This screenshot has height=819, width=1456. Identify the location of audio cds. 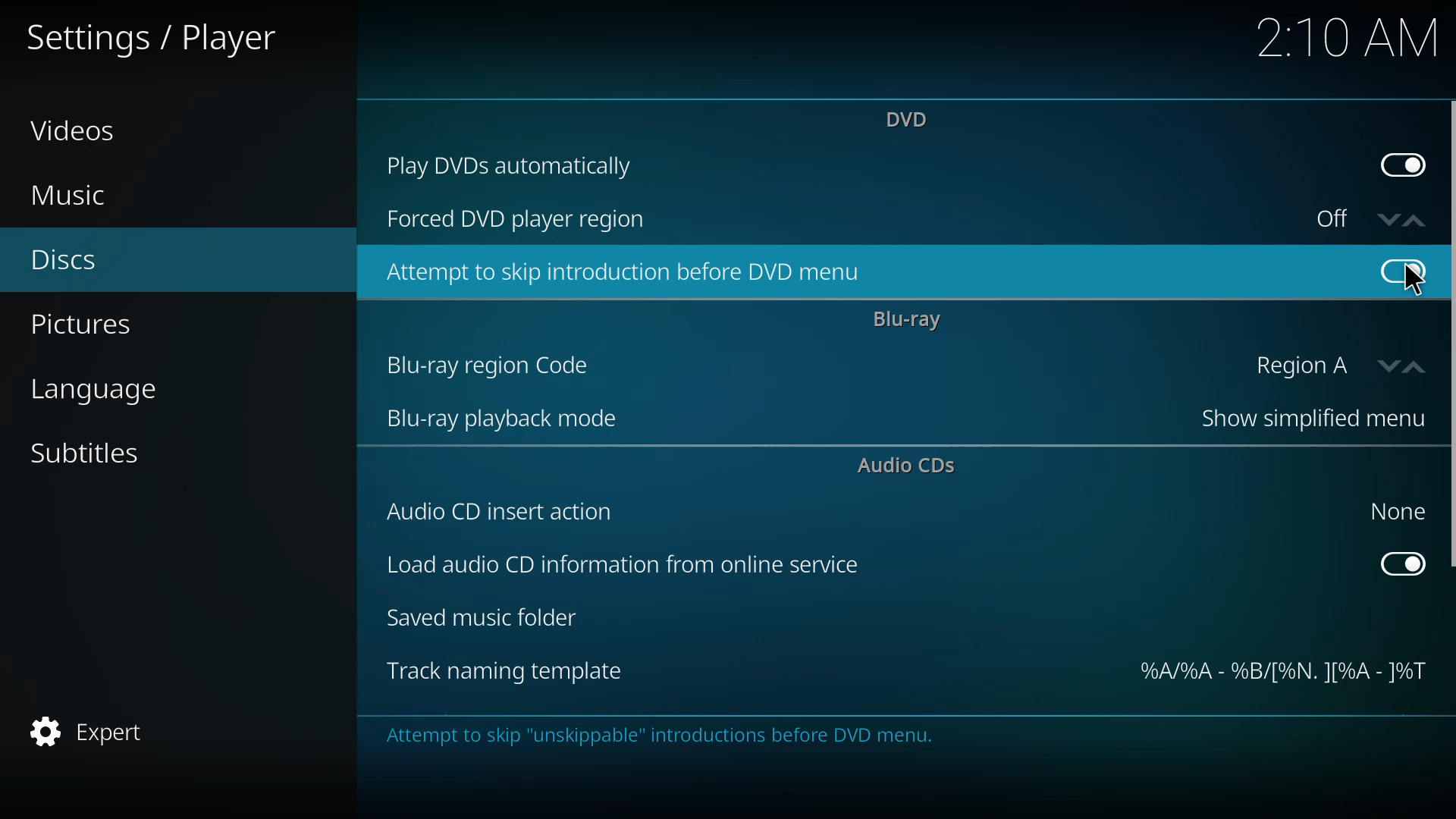
(910, 466).